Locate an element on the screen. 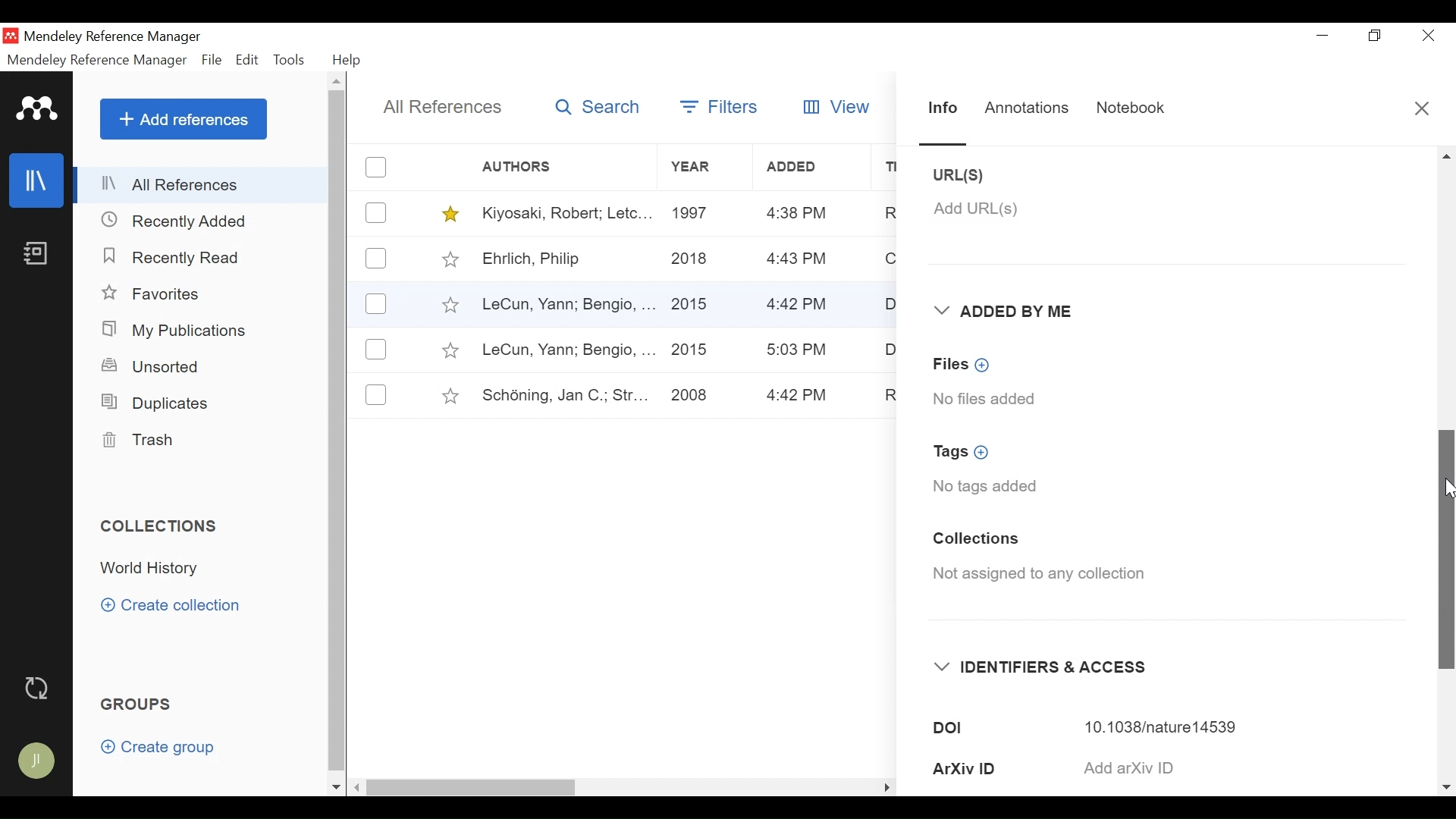 The image size is (1456, 819). 4:42 PM is located at coordinates (799, 396).